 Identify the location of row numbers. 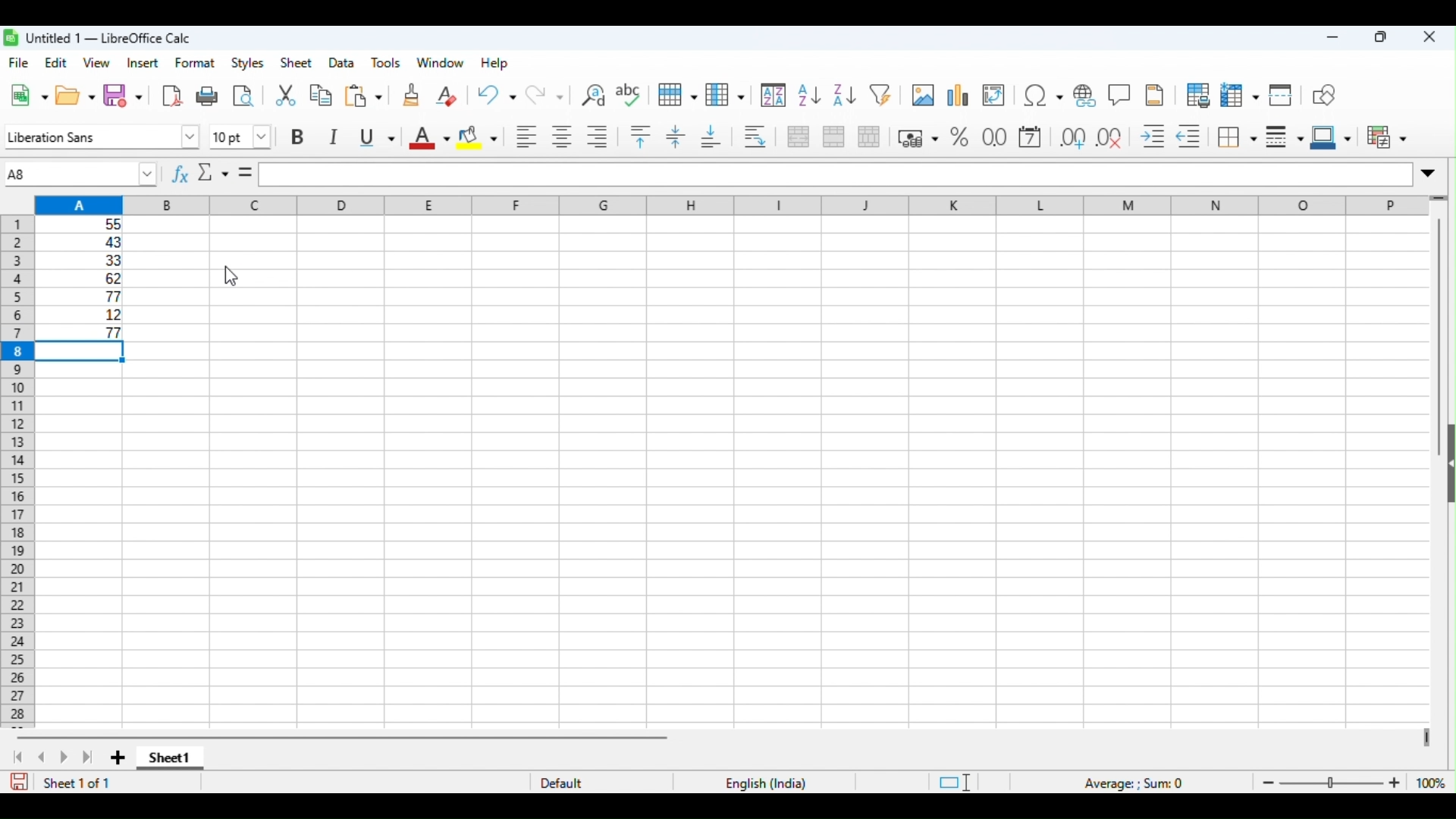
(18, 470).